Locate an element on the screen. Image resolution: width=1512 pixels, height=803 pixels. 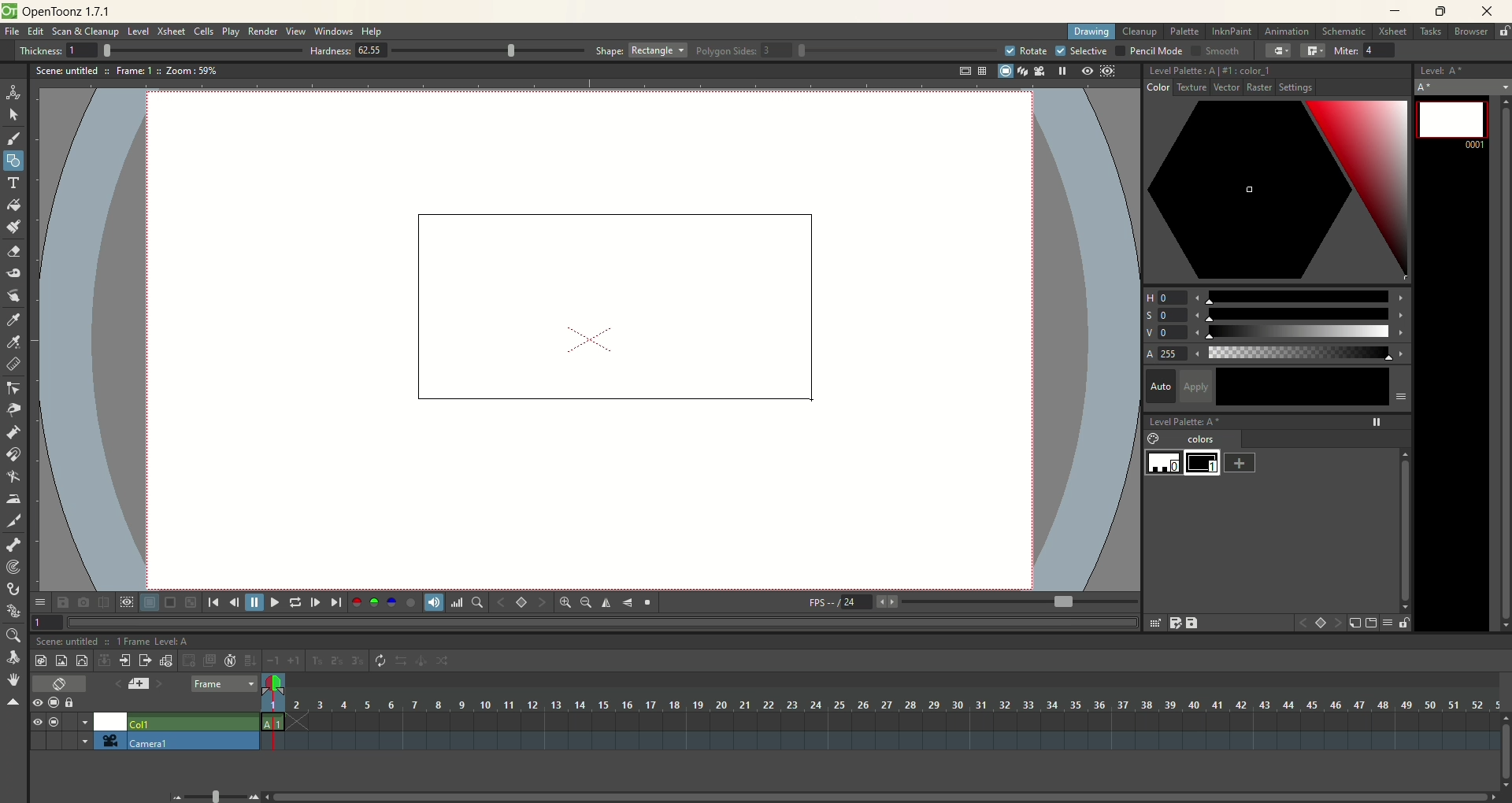
blue channel is located at coordinates (389, 601).